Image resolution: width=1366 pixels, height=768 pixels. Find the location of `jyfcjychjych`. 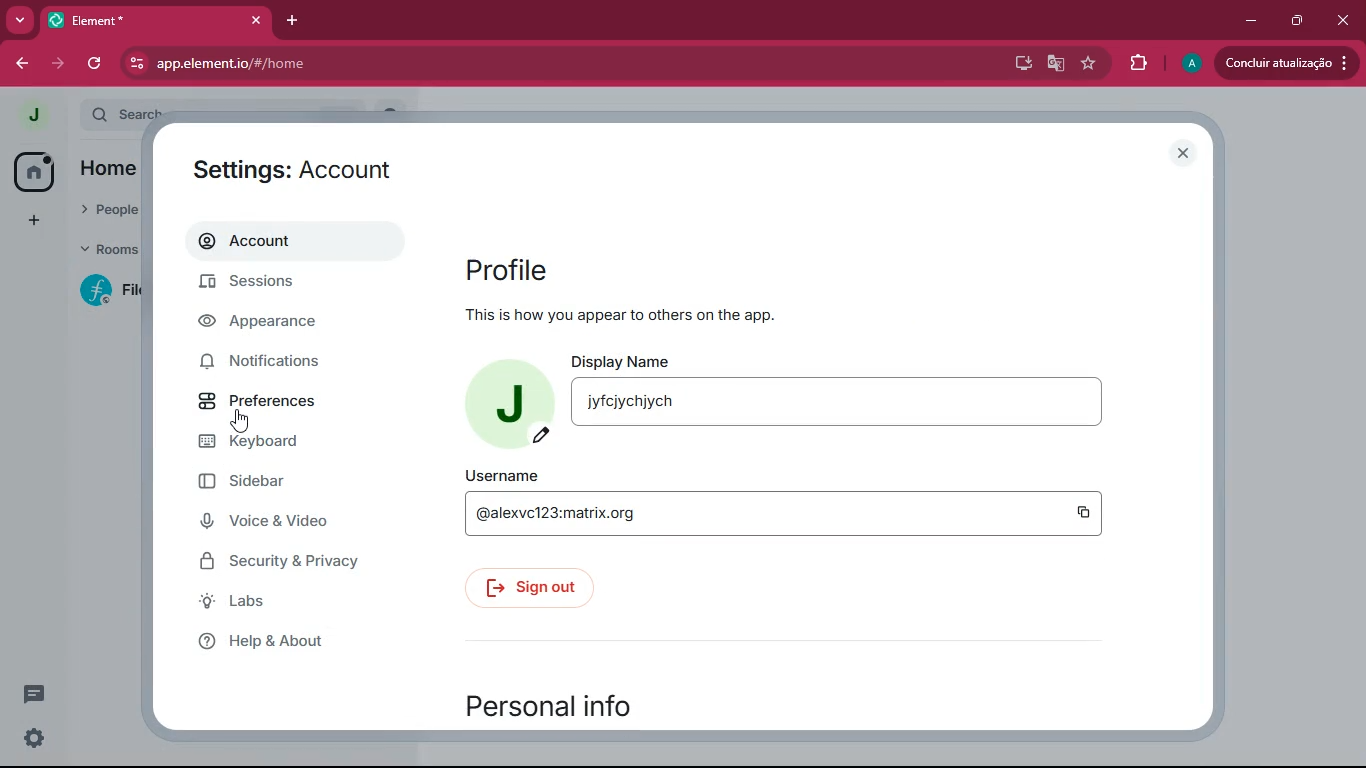

jyfcjychjych is located at coordinates (837, 401).